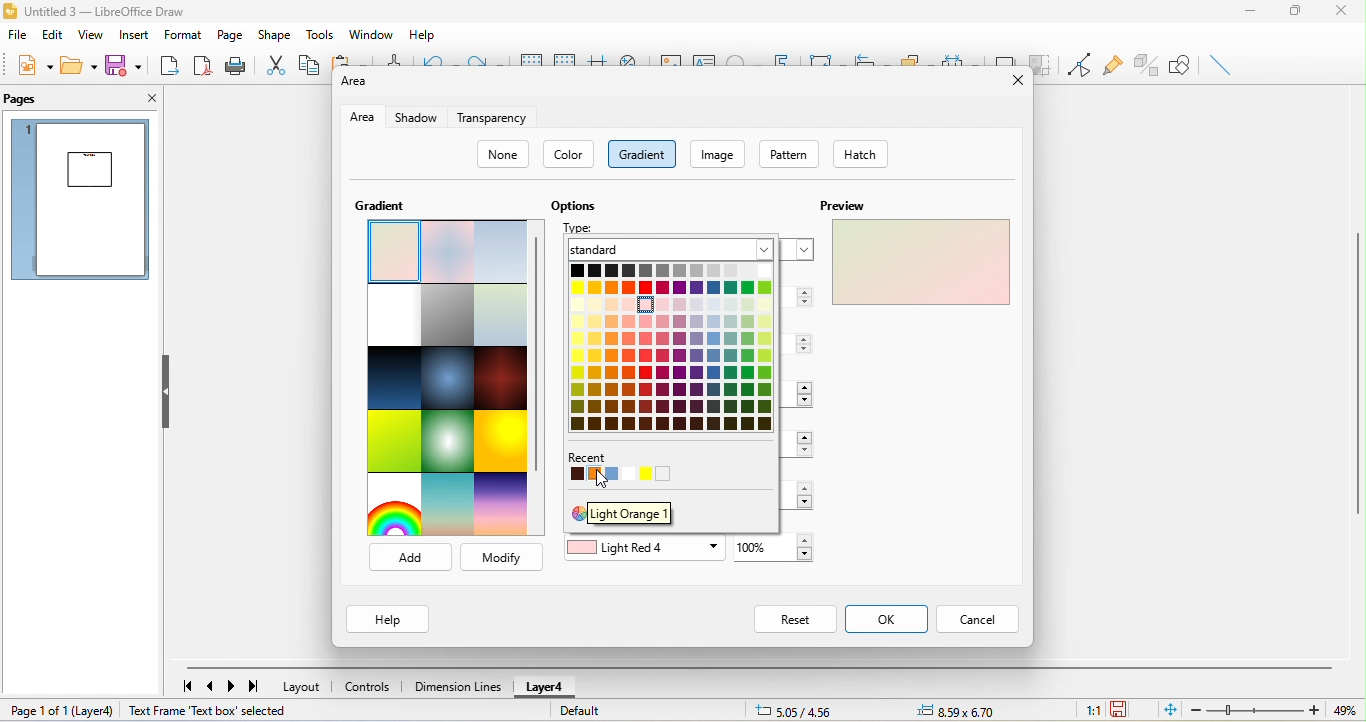 The width and height of the screenshot is (1366, 722). What do you see at coordinates (670, 351) in the screenshot?
I see `colors` at bounding box center [670, 351].